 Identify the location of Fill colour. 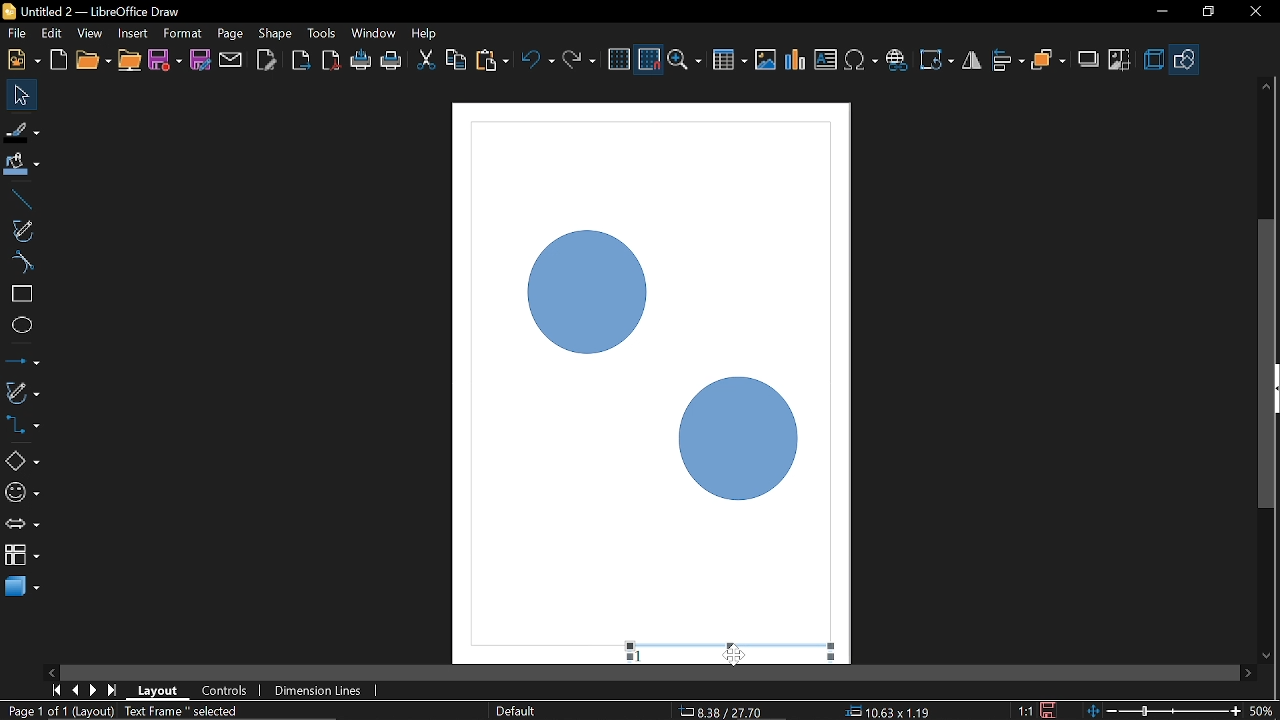
(22, 165).